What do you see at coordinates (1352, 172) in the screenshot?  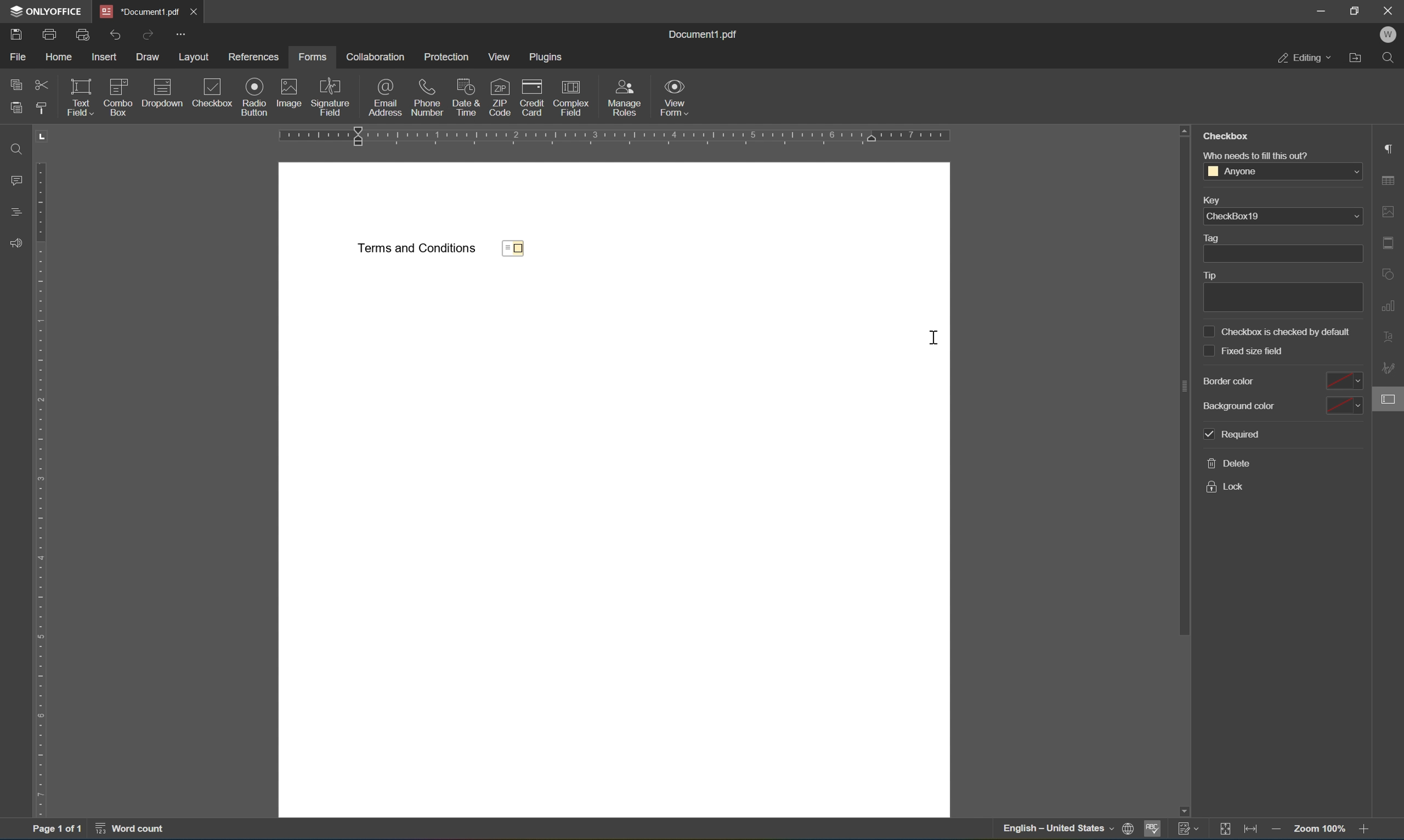 I see `drop down` at bounding box center [1352, 172].